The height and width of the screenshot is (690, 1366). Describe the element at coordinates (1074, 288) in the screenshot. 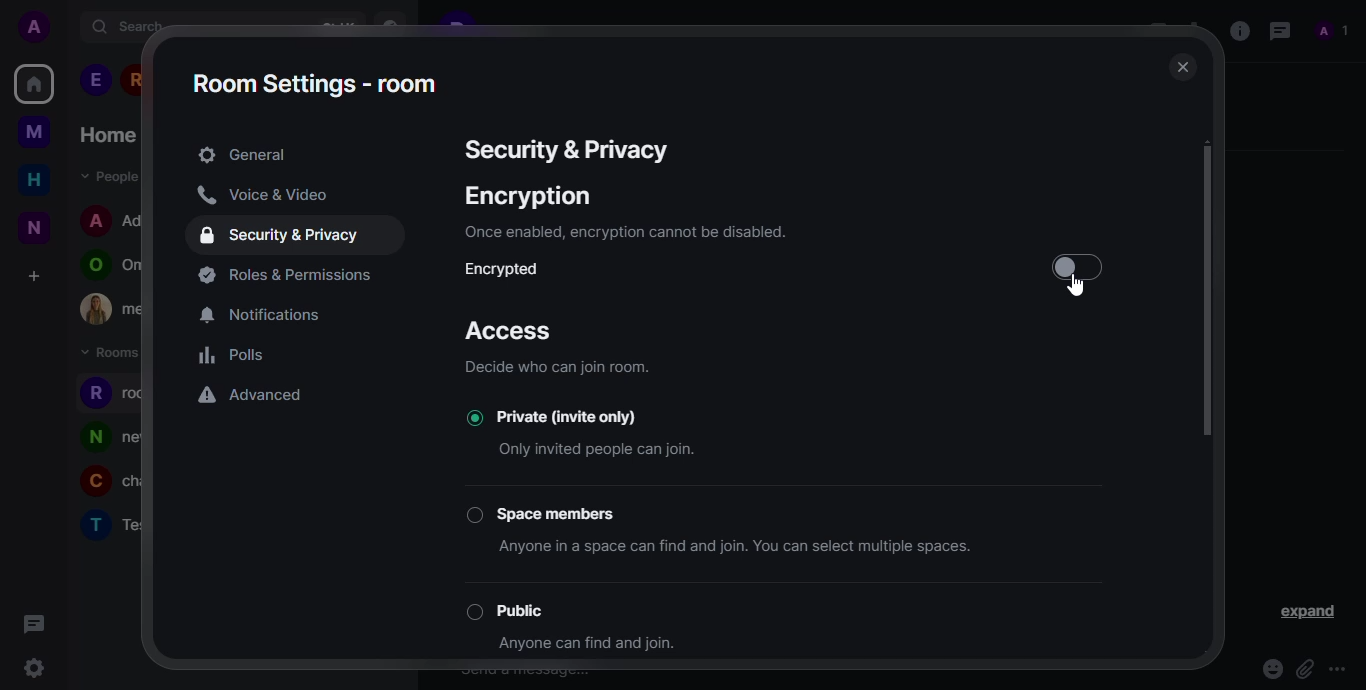

I see `Cursor` at that location.